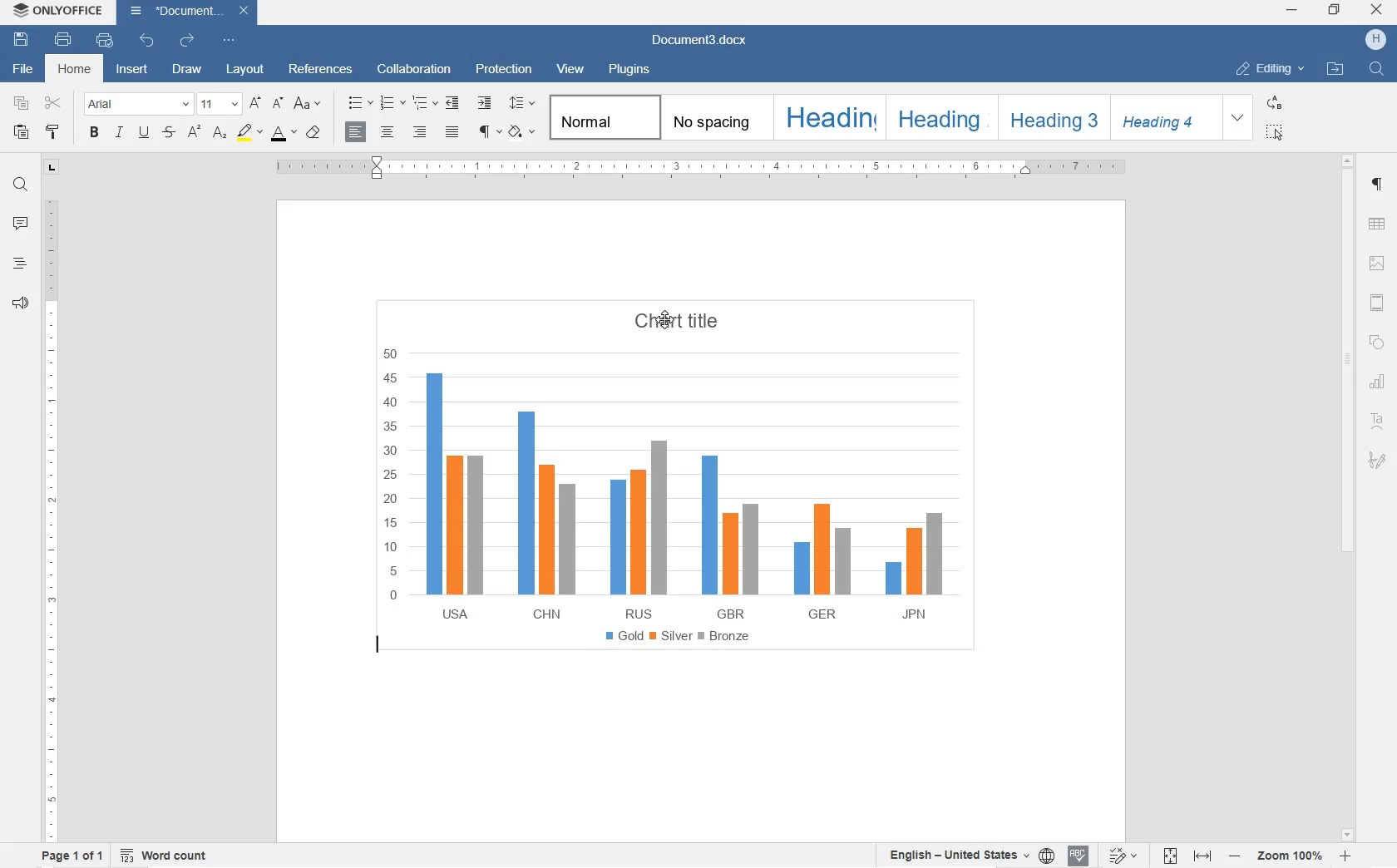 Image resolution: width=1397 pixels, height=868 pixels. What do you see at coordinates (1121, 856) in the screenshot?
I see `TRACK CHANGES` at bounding box center [1121, 856].